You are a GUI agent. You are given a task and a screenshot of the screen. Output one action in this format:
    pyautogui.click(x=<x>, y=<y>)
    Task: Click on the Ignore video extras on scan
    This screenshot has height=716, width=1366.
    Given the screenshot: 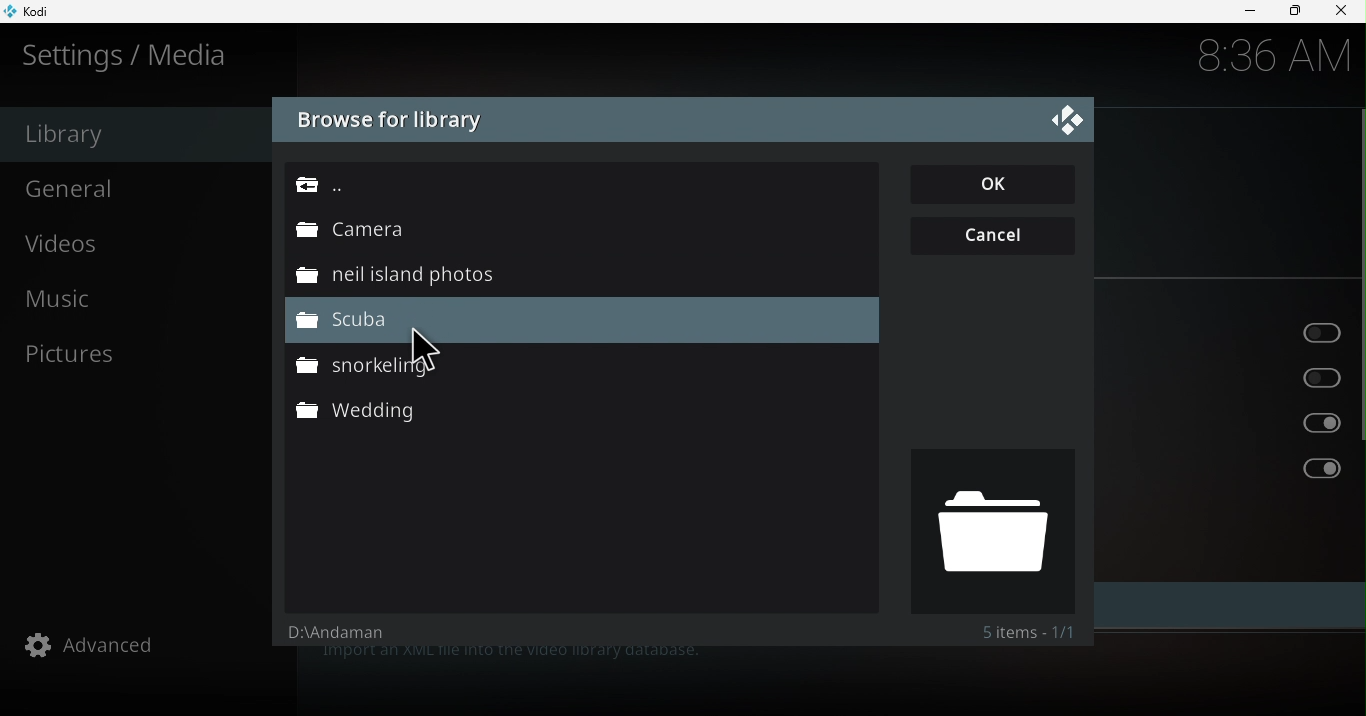 What is the action you would take?
    pyautogui.click(x=1229, y=469)
    